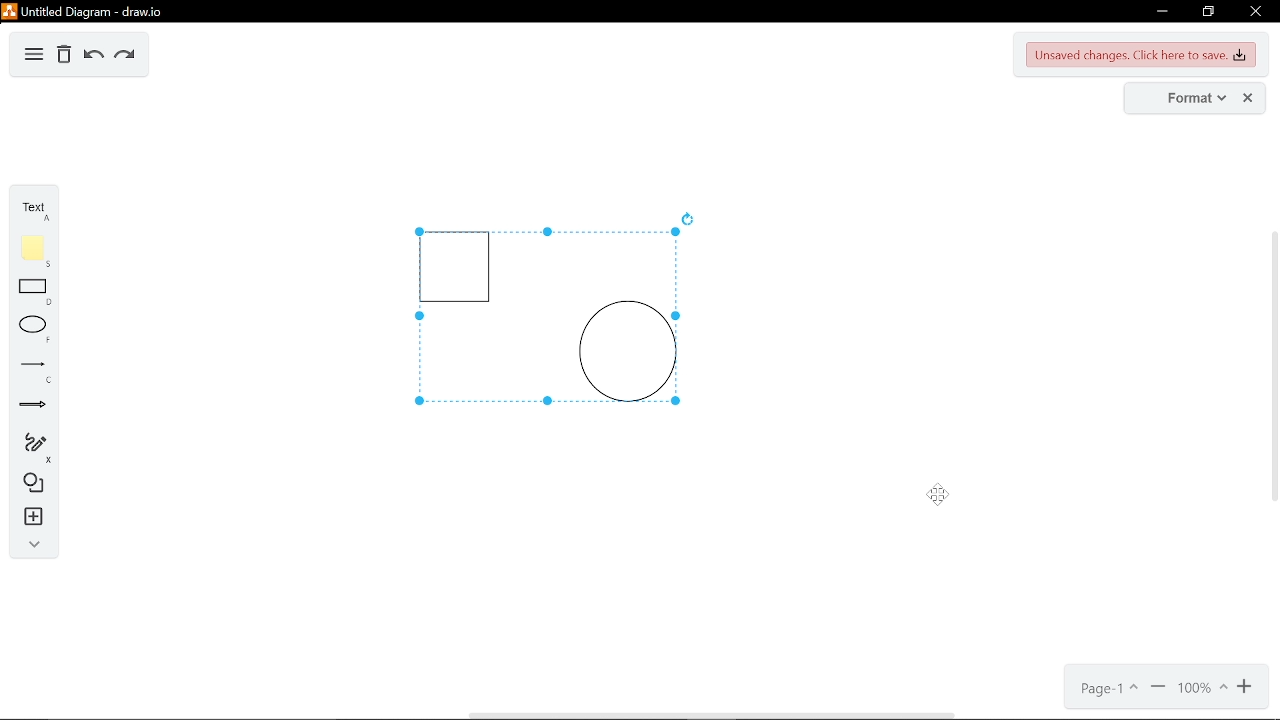 The image size is (1280, 720). Describe the element at coordinates (1210, 12) in the screenshot. I see `restore down` at that location.